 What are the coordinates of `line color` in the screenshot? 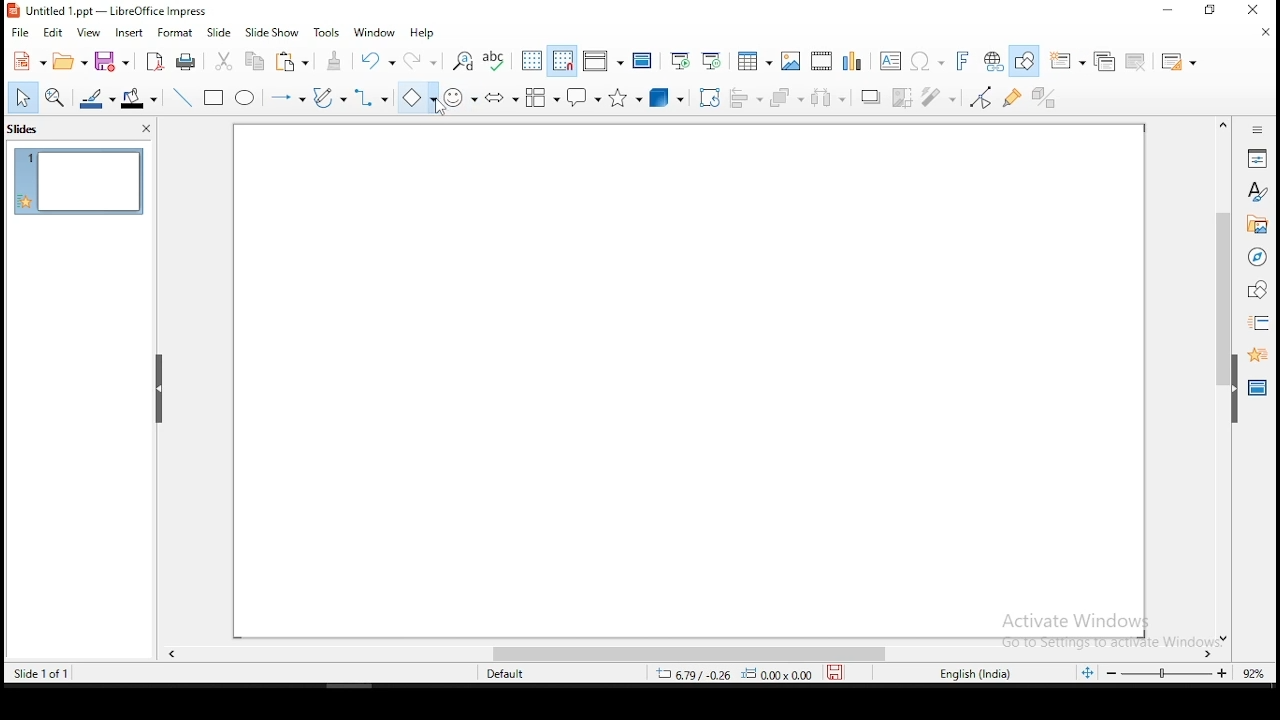 It's located at (97, 97).